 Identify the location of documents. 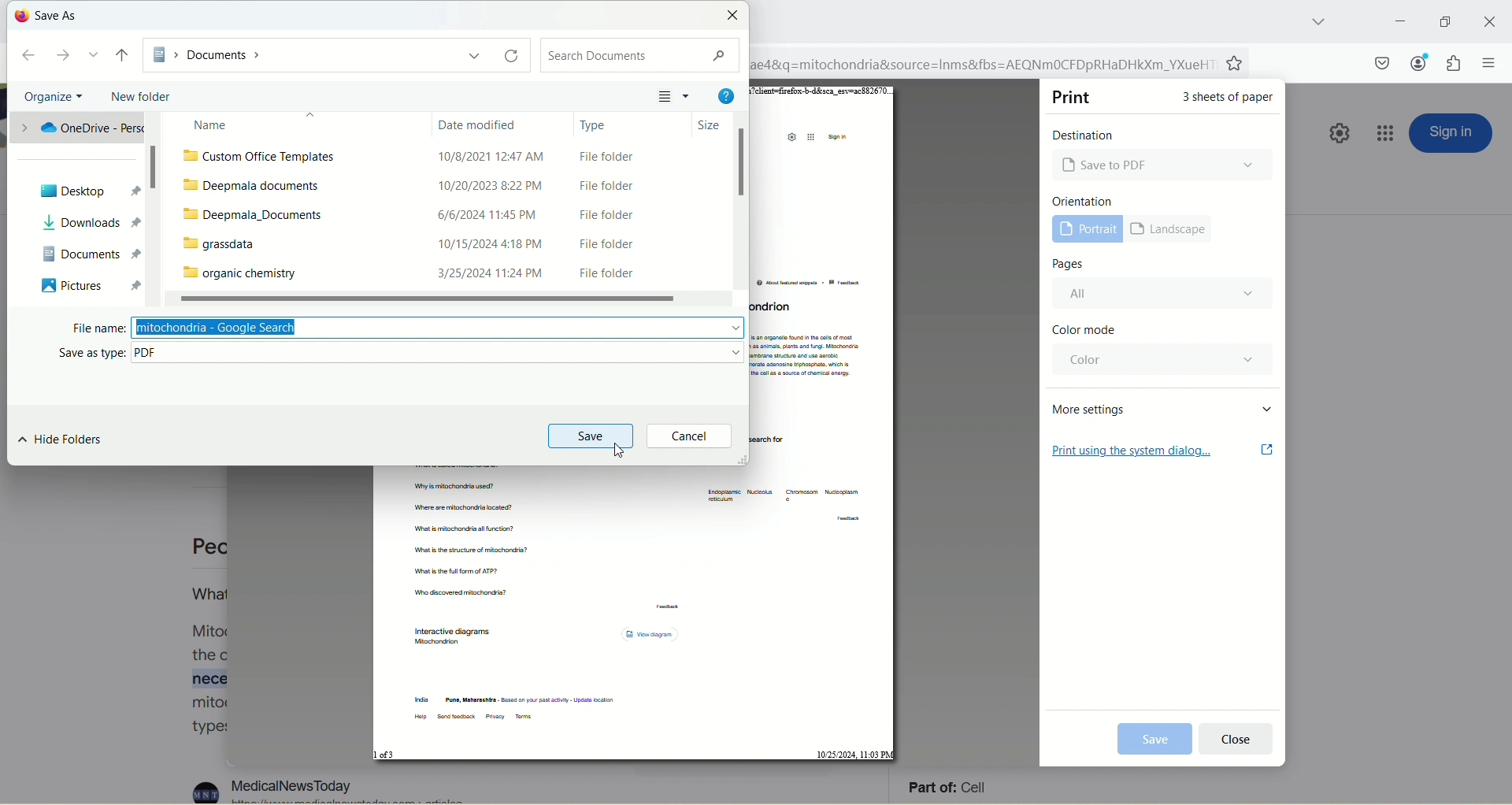
(89, 256).